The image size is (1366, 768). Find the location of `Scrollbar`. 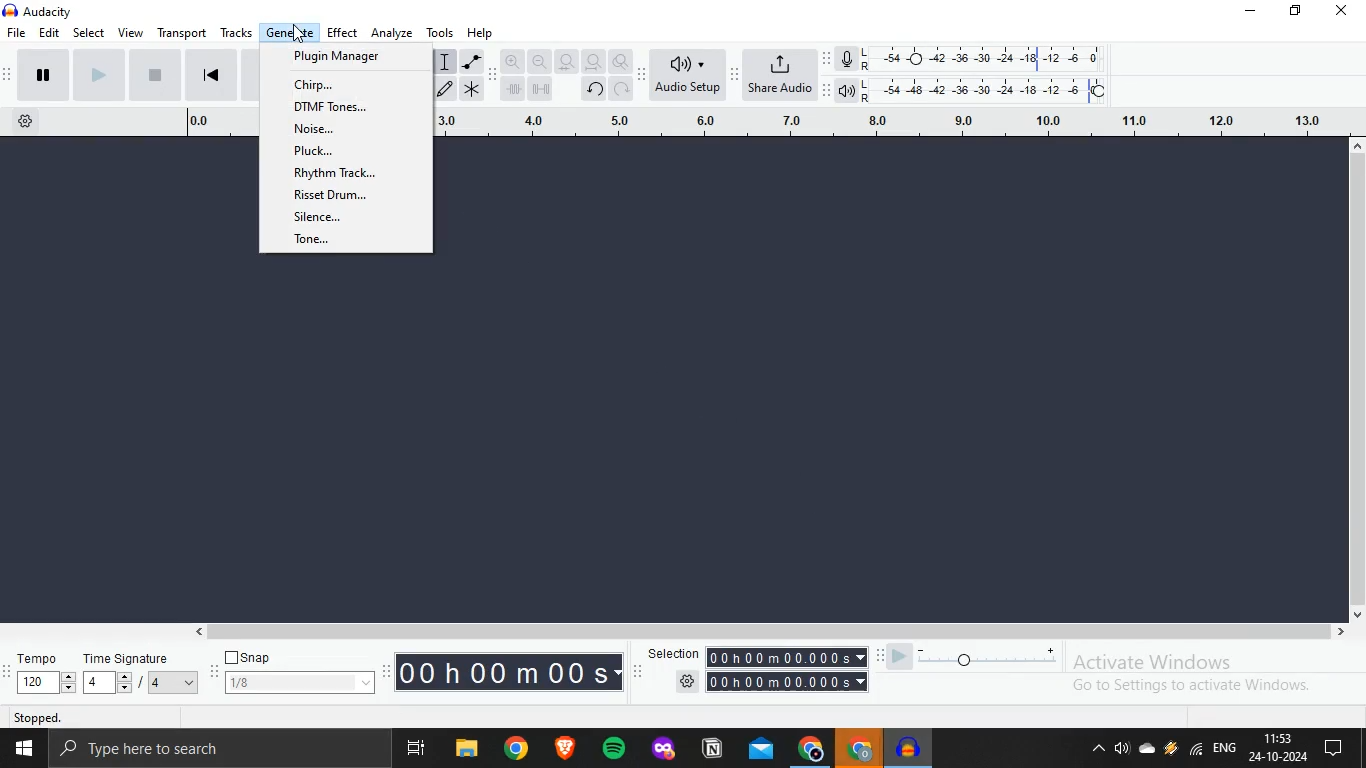

Scrollbar is located at coordinates (771, 633).